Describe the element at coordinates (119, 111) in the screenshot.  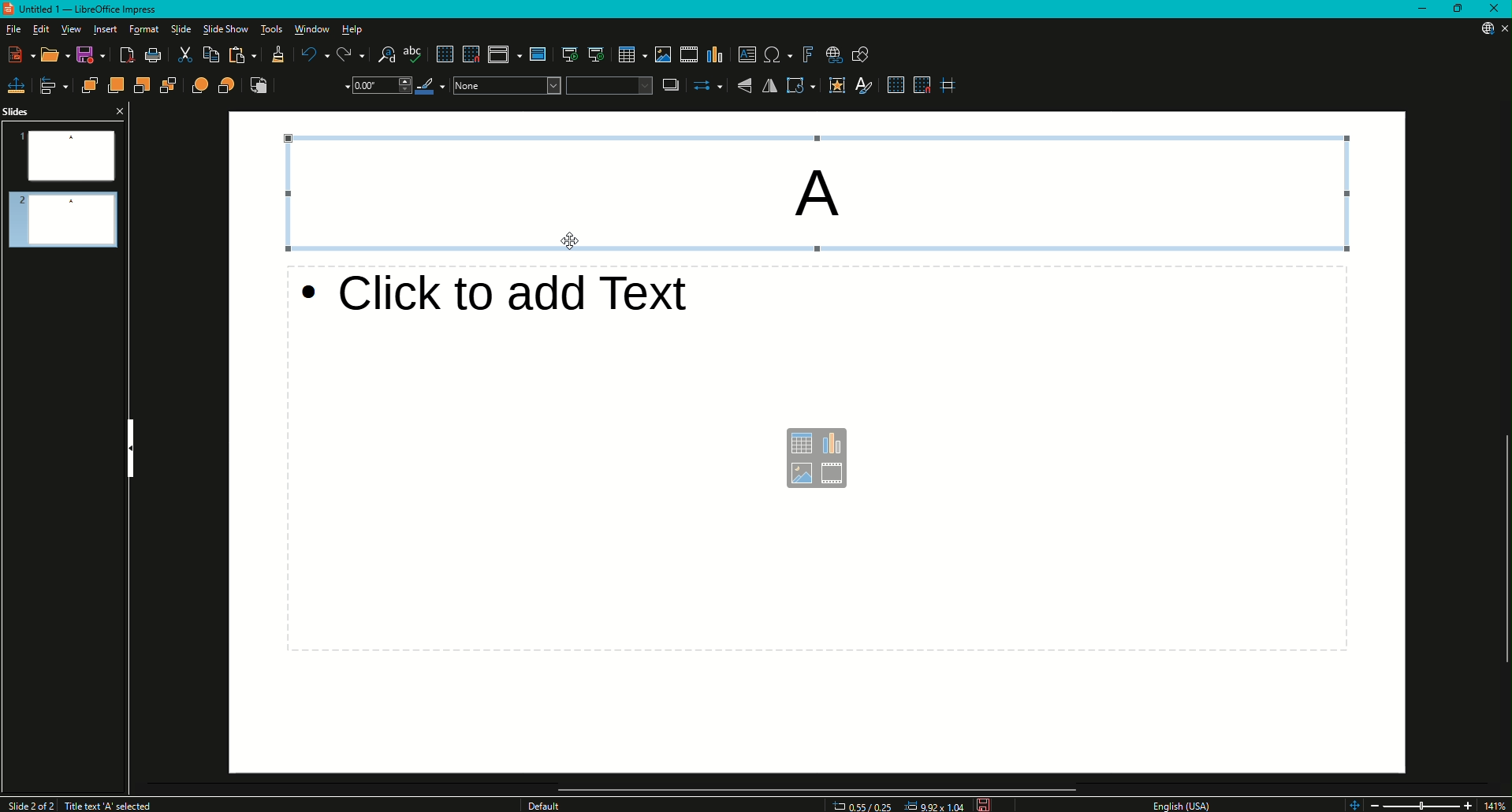
I see `Close` at that location.